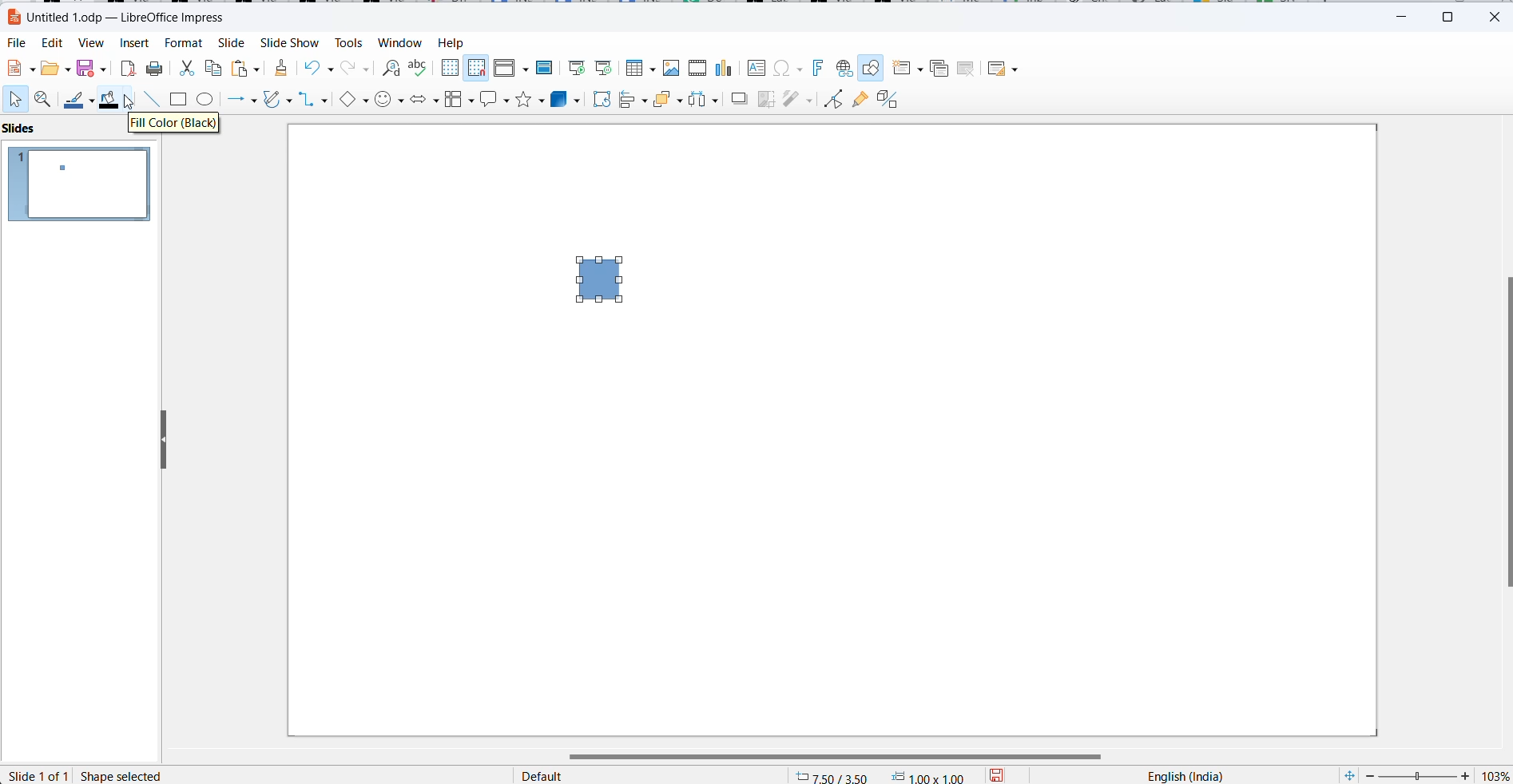 The height and width of the screenshot is (784, 1513). What do you see at coordinates (245, 69) in the screenshot?
I see `paste options` at bounding box center [245, 69].